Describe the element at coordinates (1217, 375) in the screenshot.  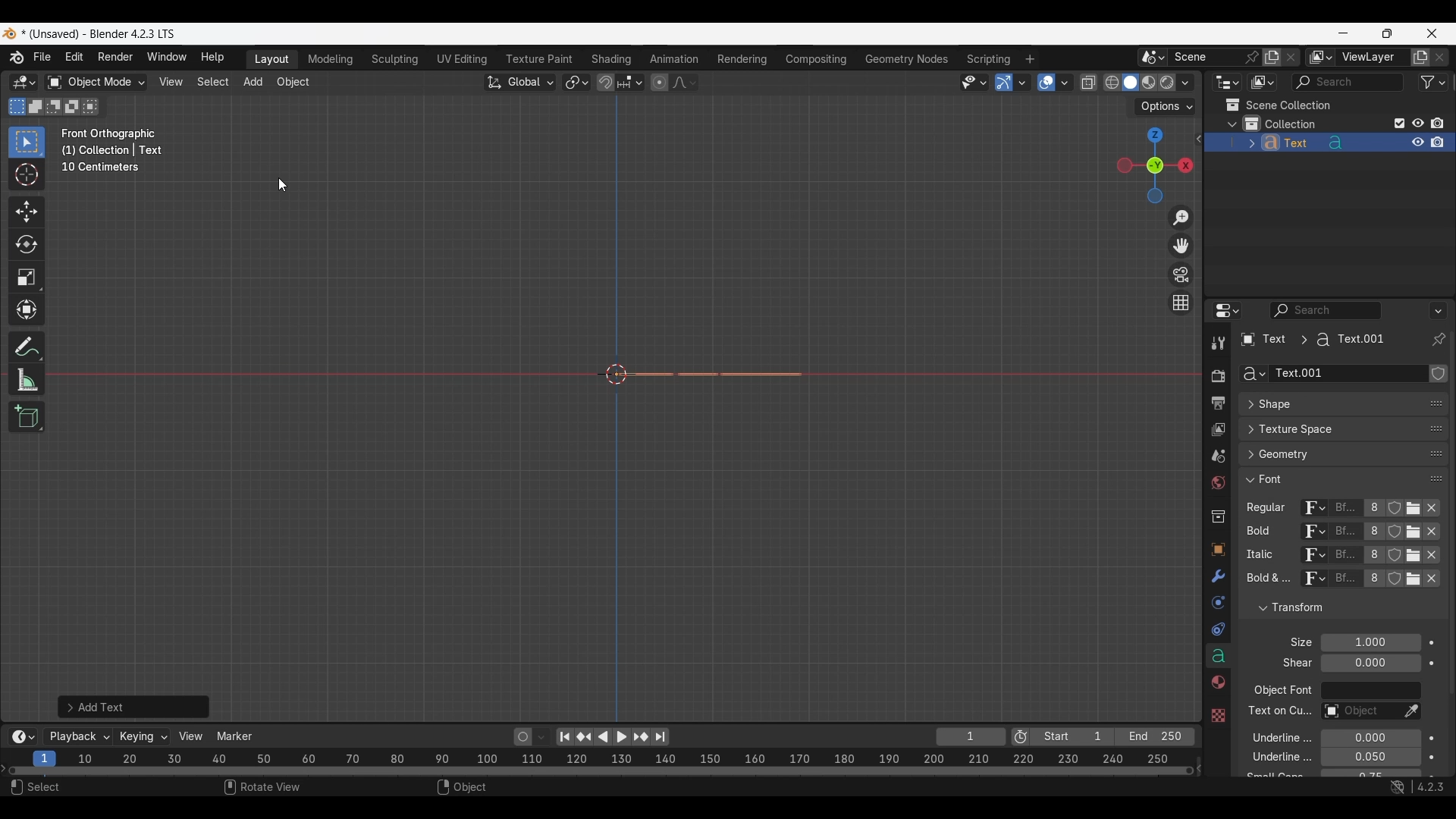
I see `Render` at that location.